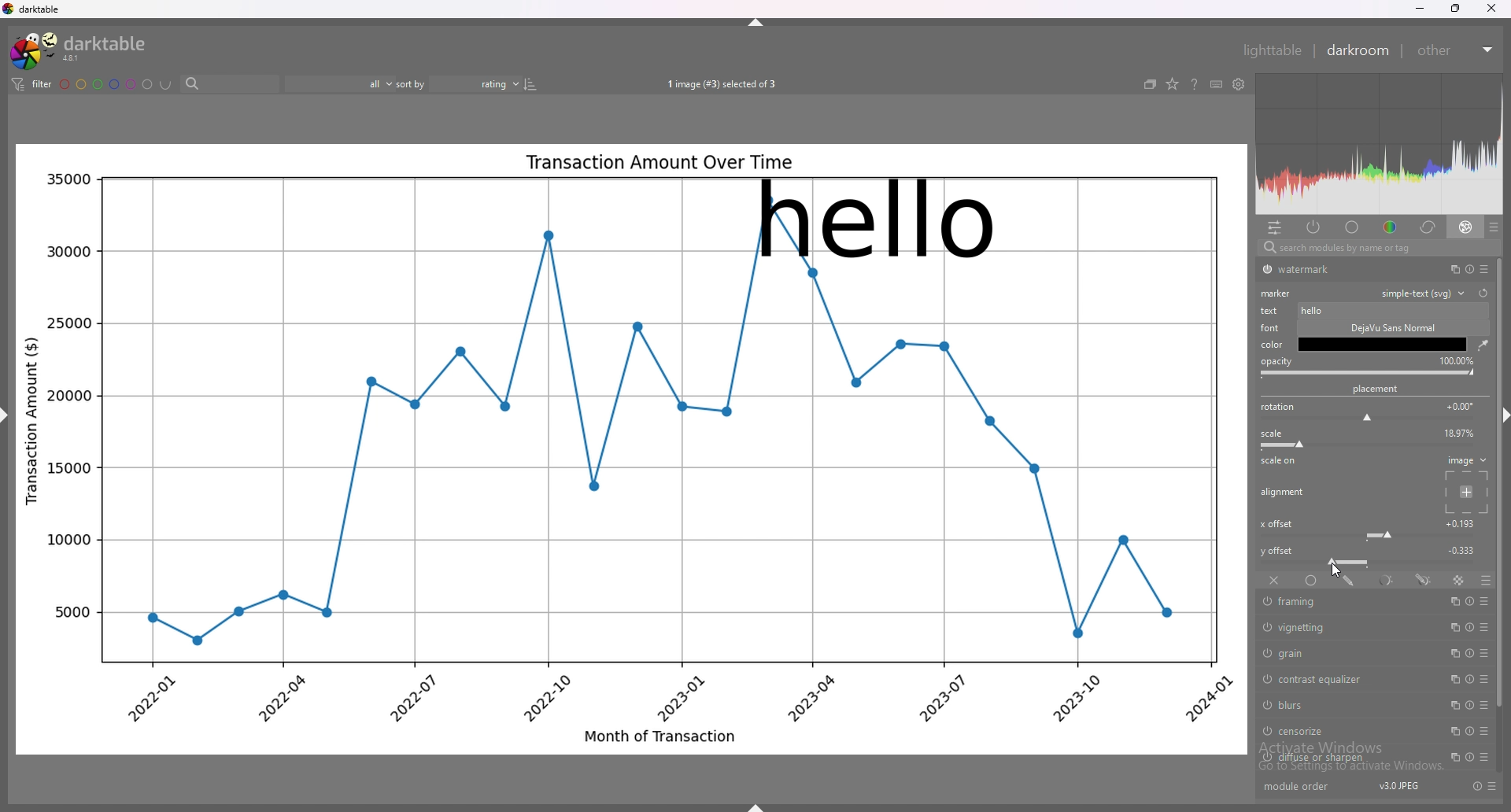 This screenshot has width=1511, height=812. I want to click on hide, so click(757, 22).